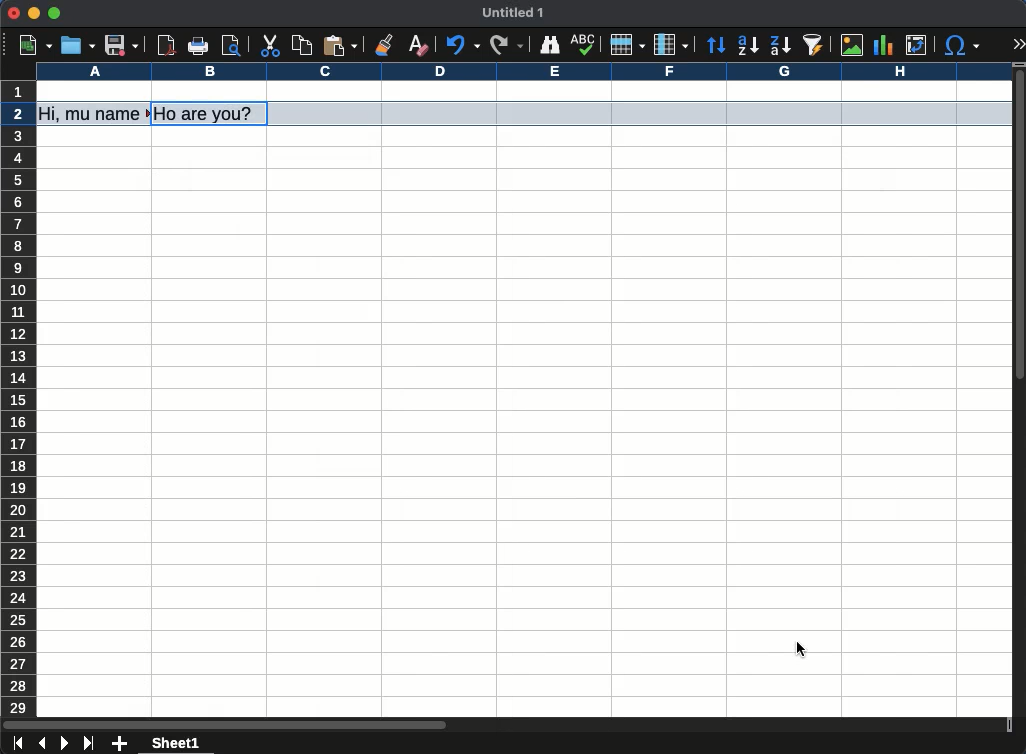 The image size is (1026, 754). What do you see at coordinates (584, 45) in the screenshot?
I see `spell check` at bounding box center [584, 45].